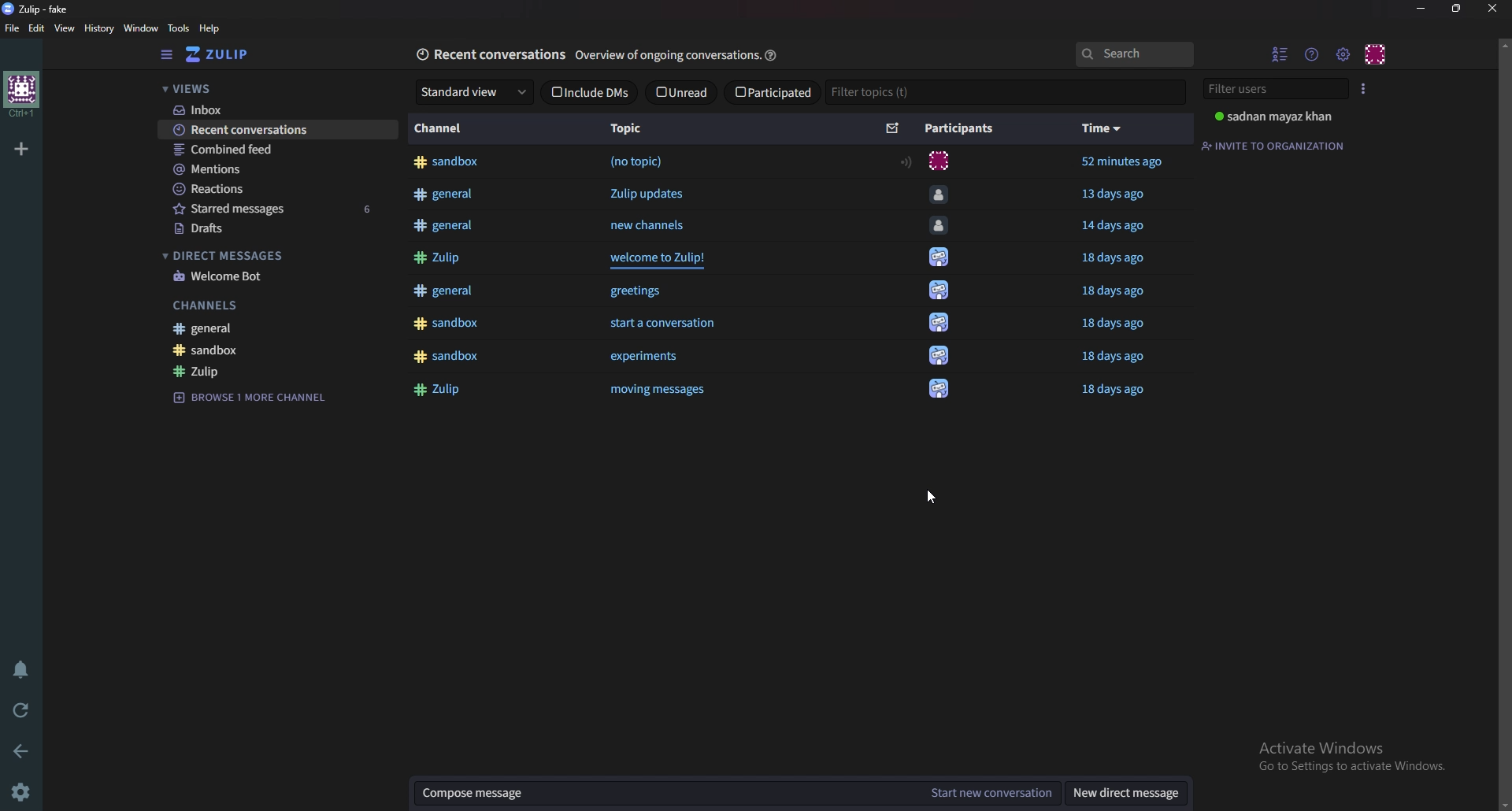 Image resolution: width=1512 pixels, height=811 pixels. What do you see at coordinates (1110, 361) in the screenshot?
I see `18 days ago` at bounding box center [1110, 361].